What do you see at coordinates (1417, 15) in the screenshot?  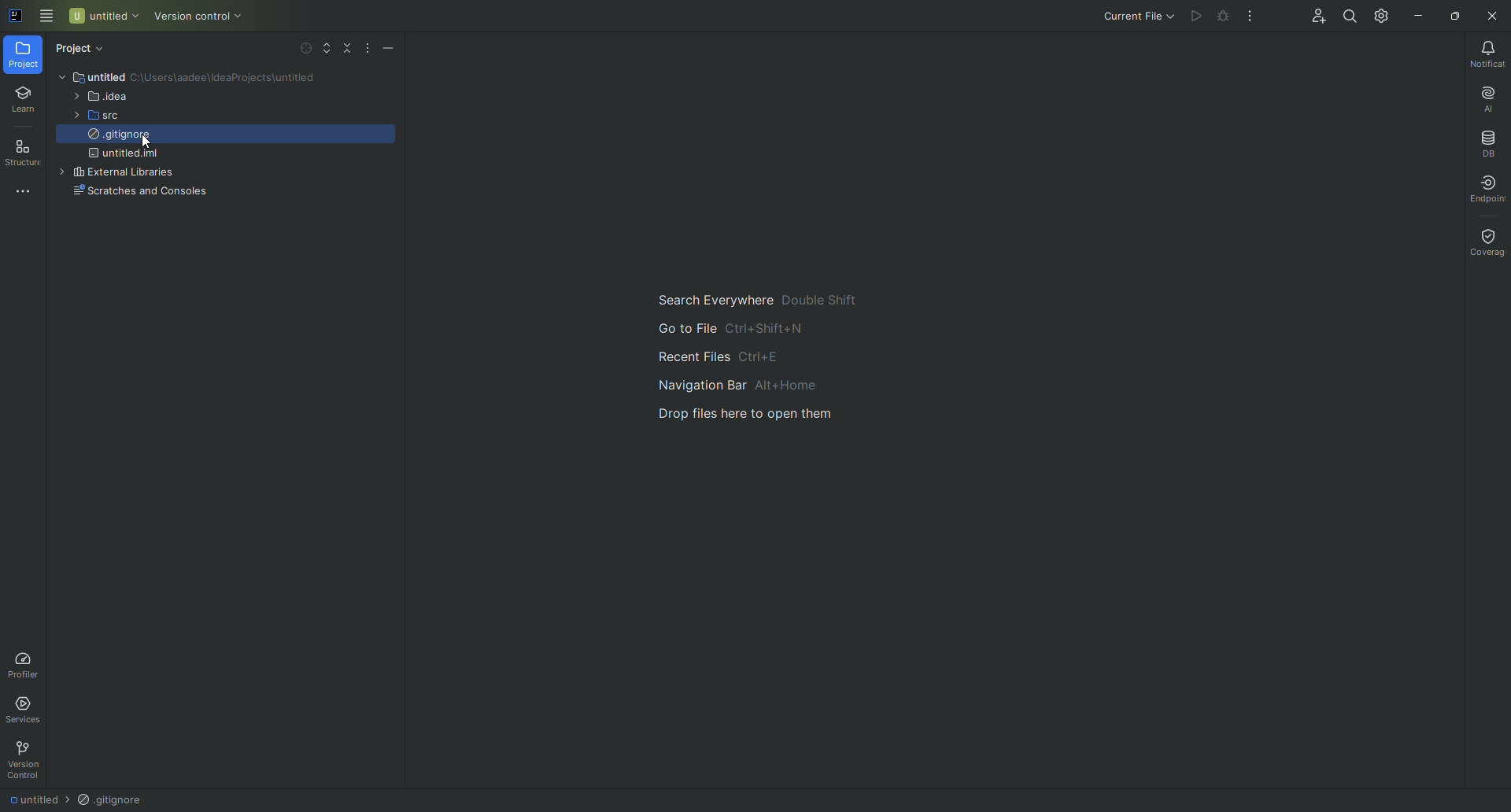 I see `Minimize` at bounding box center [1417, 15].